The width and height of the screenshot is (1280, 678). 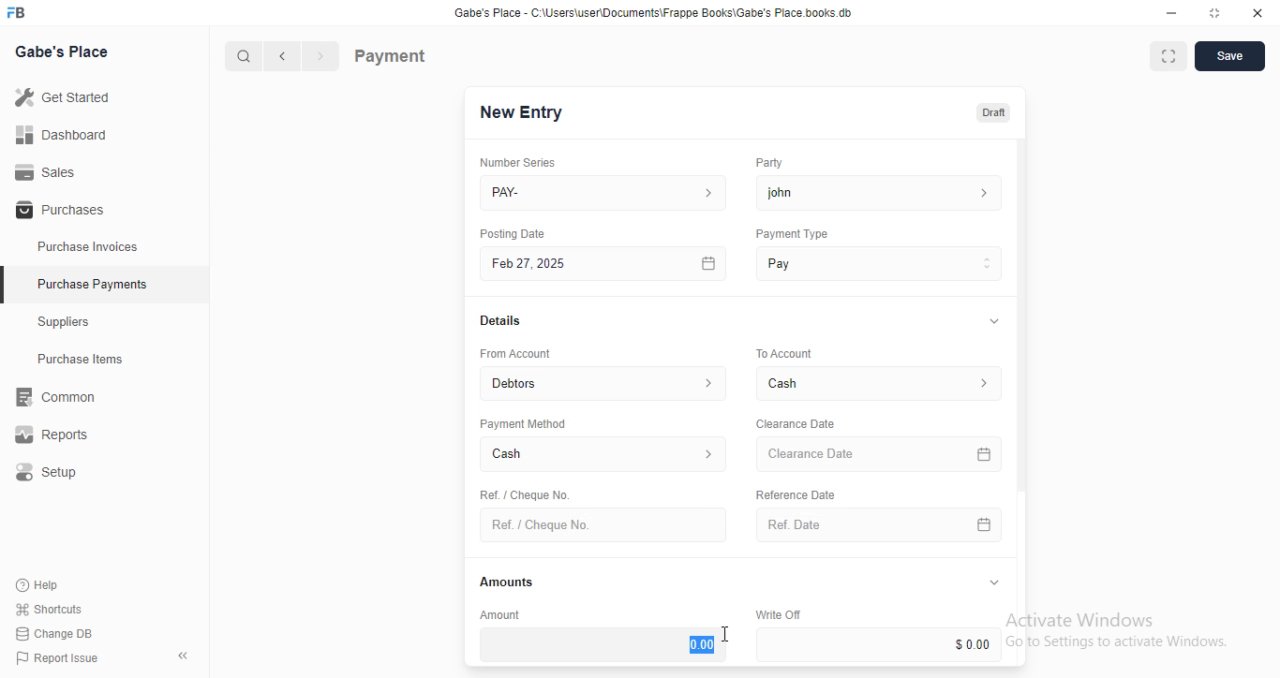 I want to click on PAY-, so click(x=605, y=193).